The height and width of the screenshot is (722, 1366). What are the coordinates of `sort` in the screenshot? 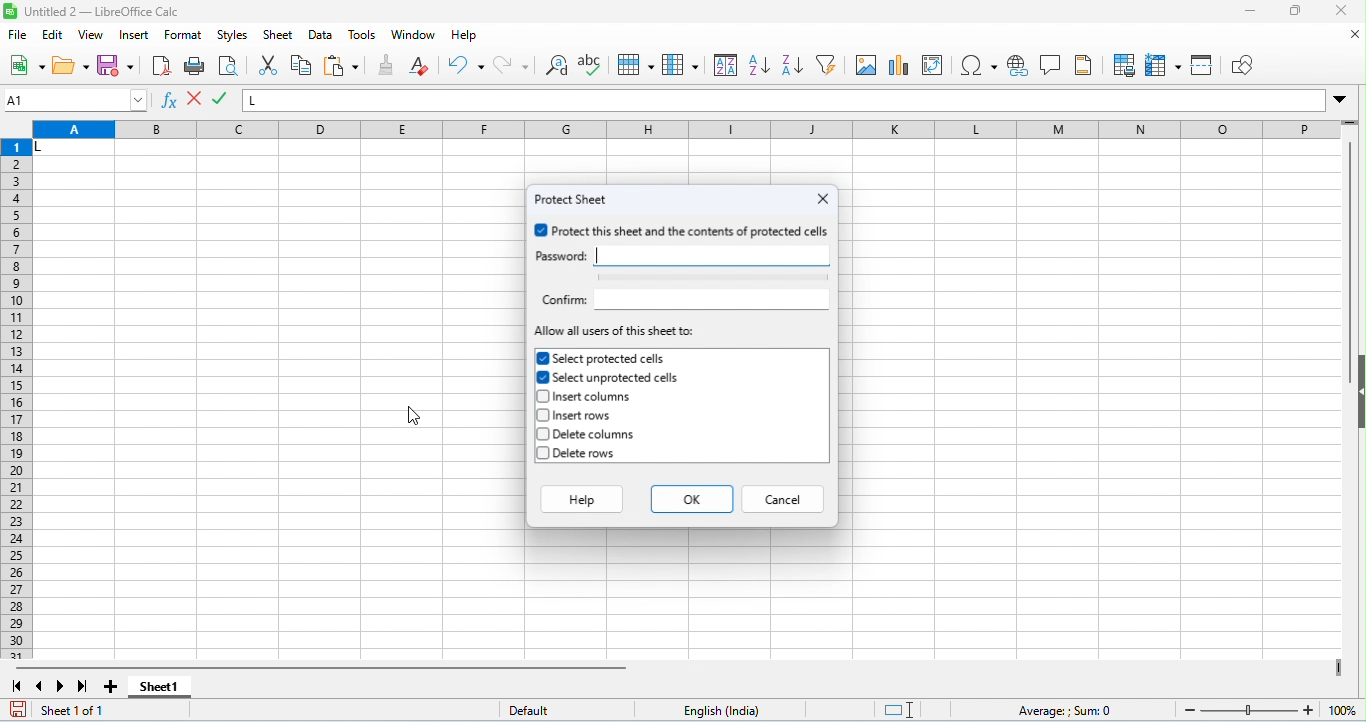 It's located at (726, 64).